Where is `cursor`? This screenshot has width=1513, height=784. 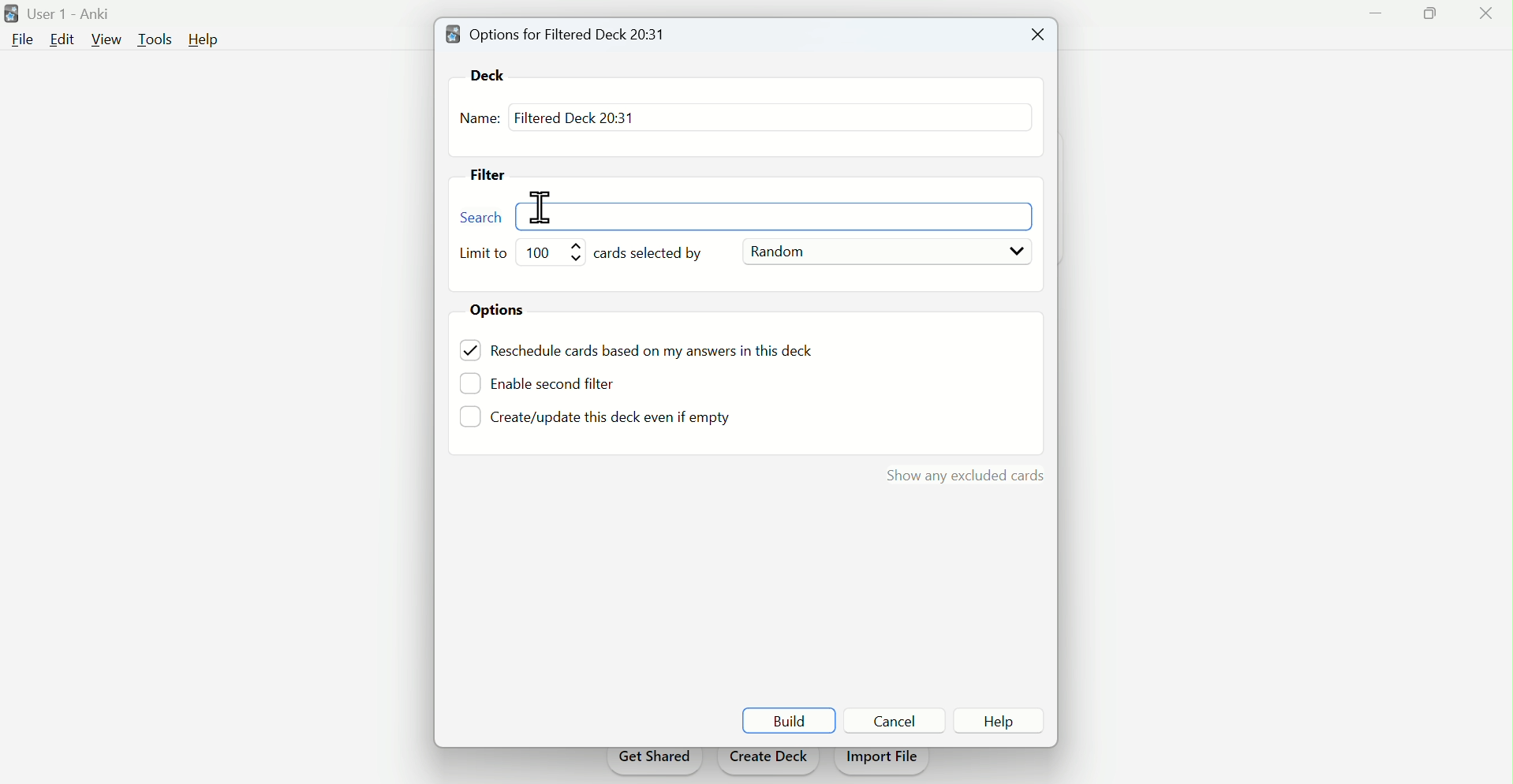
cursor is located at coordinates (542, 208).